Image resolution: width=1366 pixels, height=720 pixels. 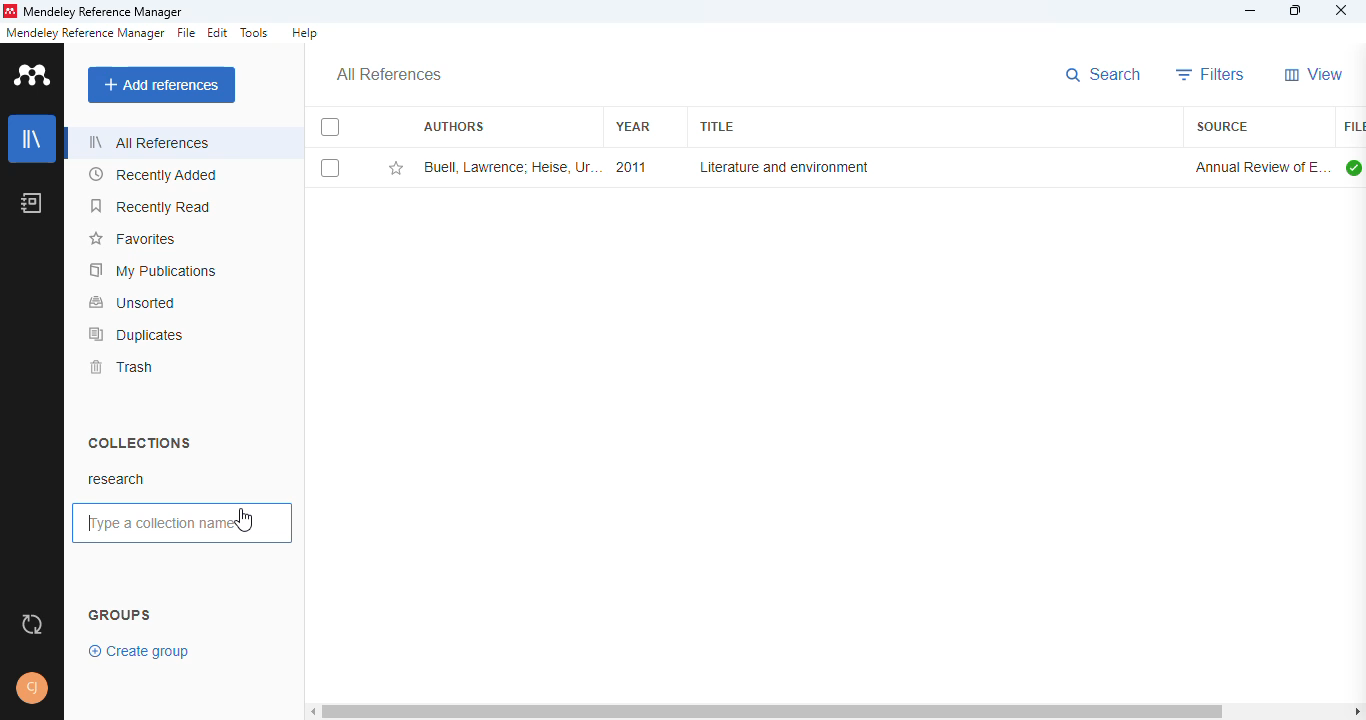 What do you see at coordinates (246, 521) in the screenshot?
I see `cursor` at bounding box center [246, 521].